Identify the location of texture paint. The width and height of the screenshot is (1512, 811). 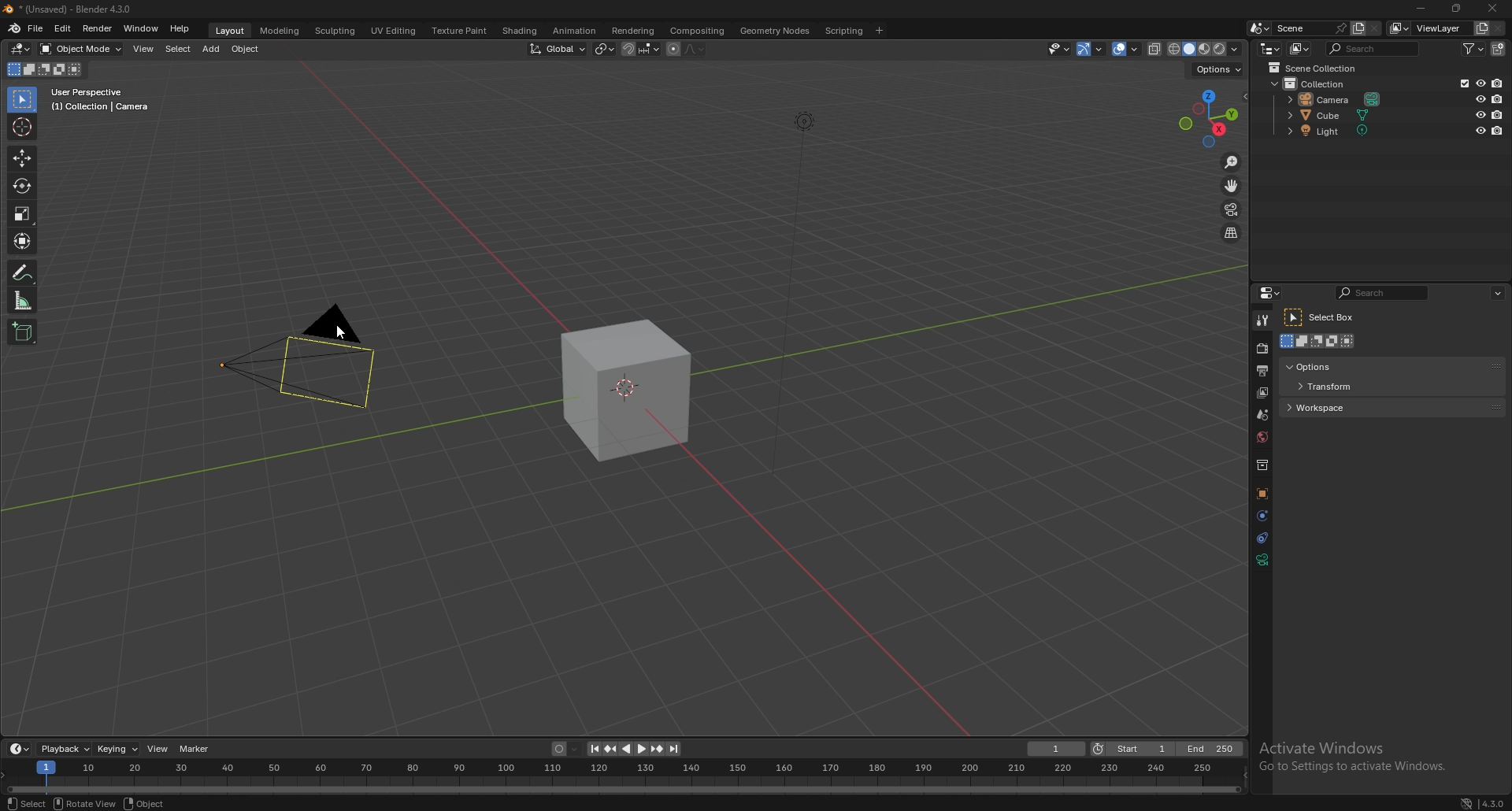
(460, 31).